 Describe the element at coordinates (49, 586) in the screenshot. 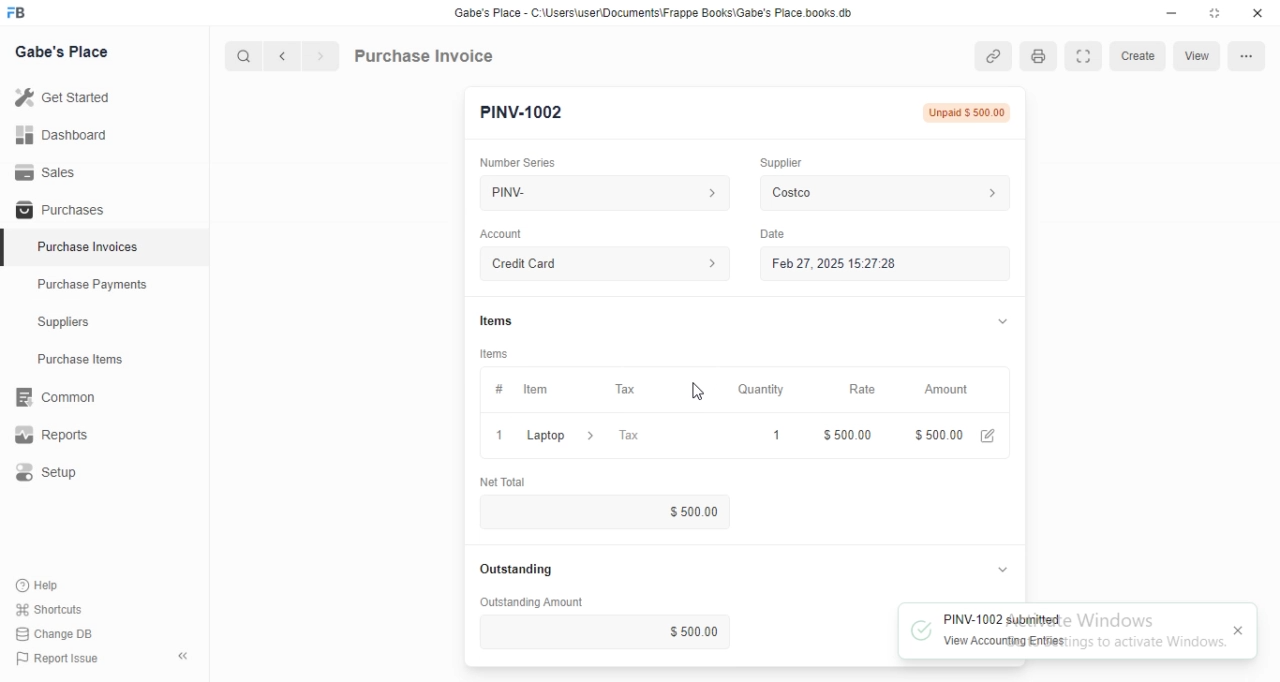

I see `Help` at that location.